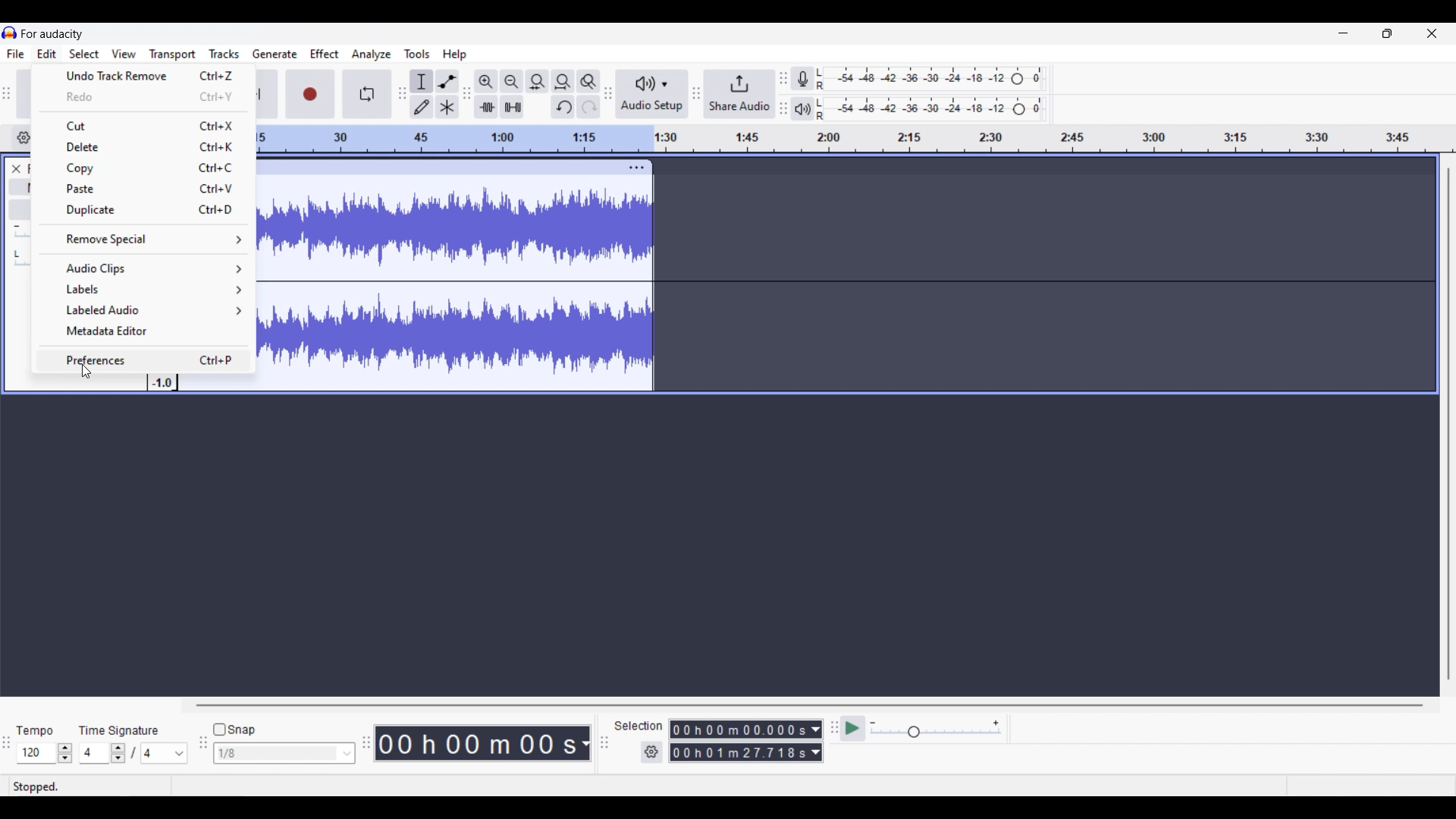  What do you see at coordinates (1387, 33) in the screenshot?
I see `Show in smaller tab` at bounding box center [1387, 33].